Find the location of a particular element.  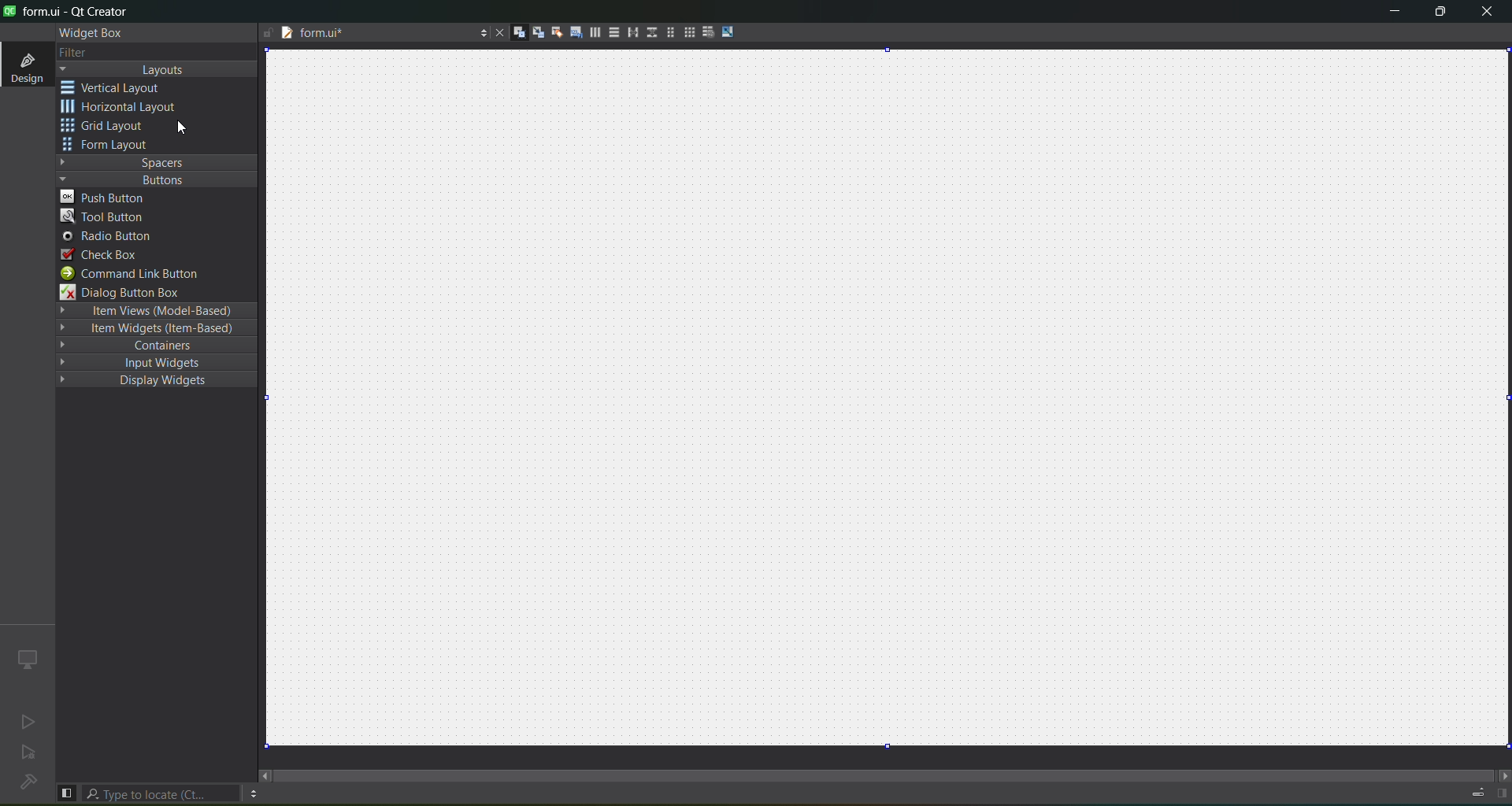

show/hide left pane is located at coordinates (66, 792).